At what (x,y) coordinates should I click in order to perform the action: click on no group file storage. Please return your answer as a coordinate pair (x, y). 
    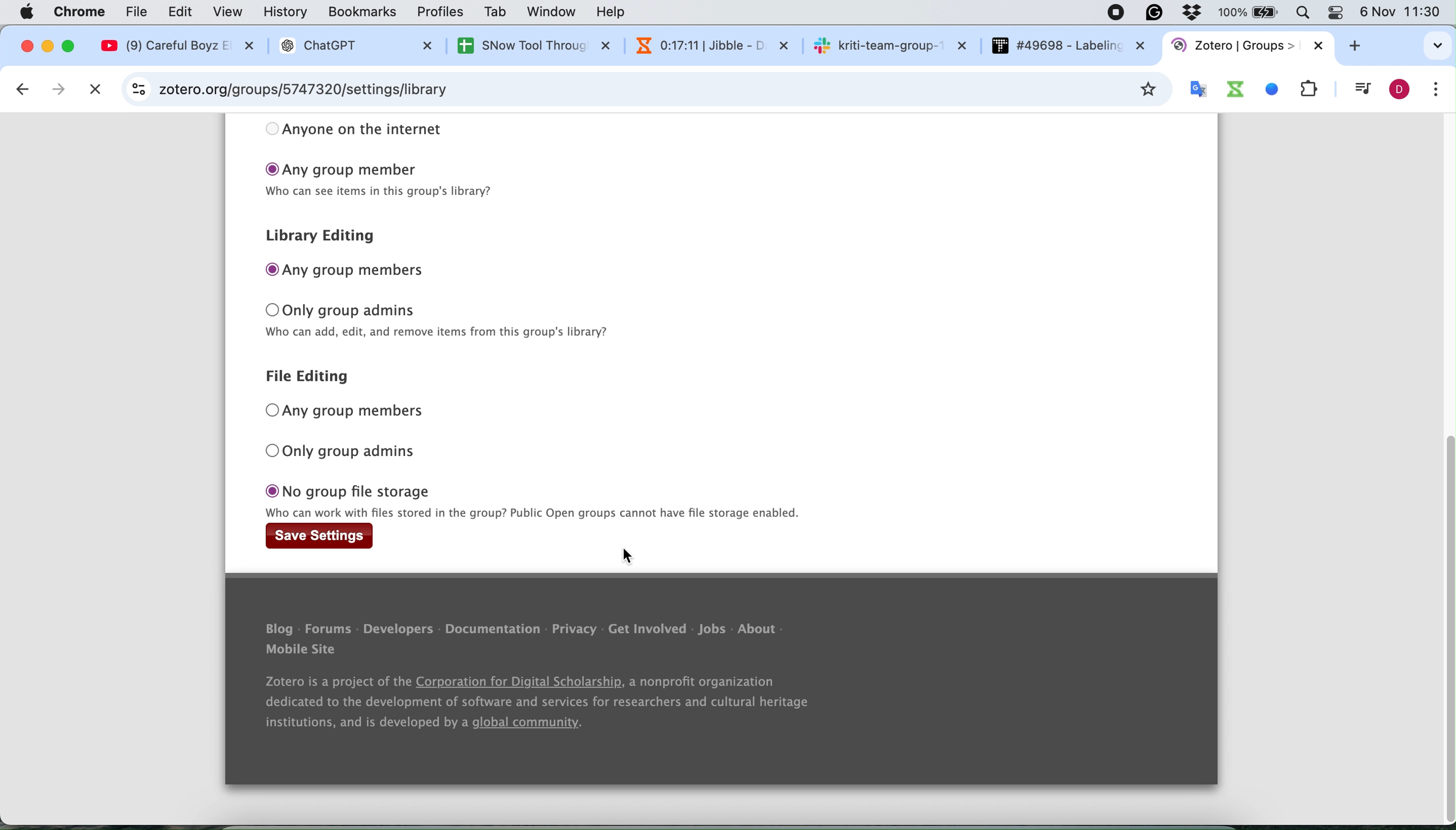
    Looking at the image, I should click on (351, 489).